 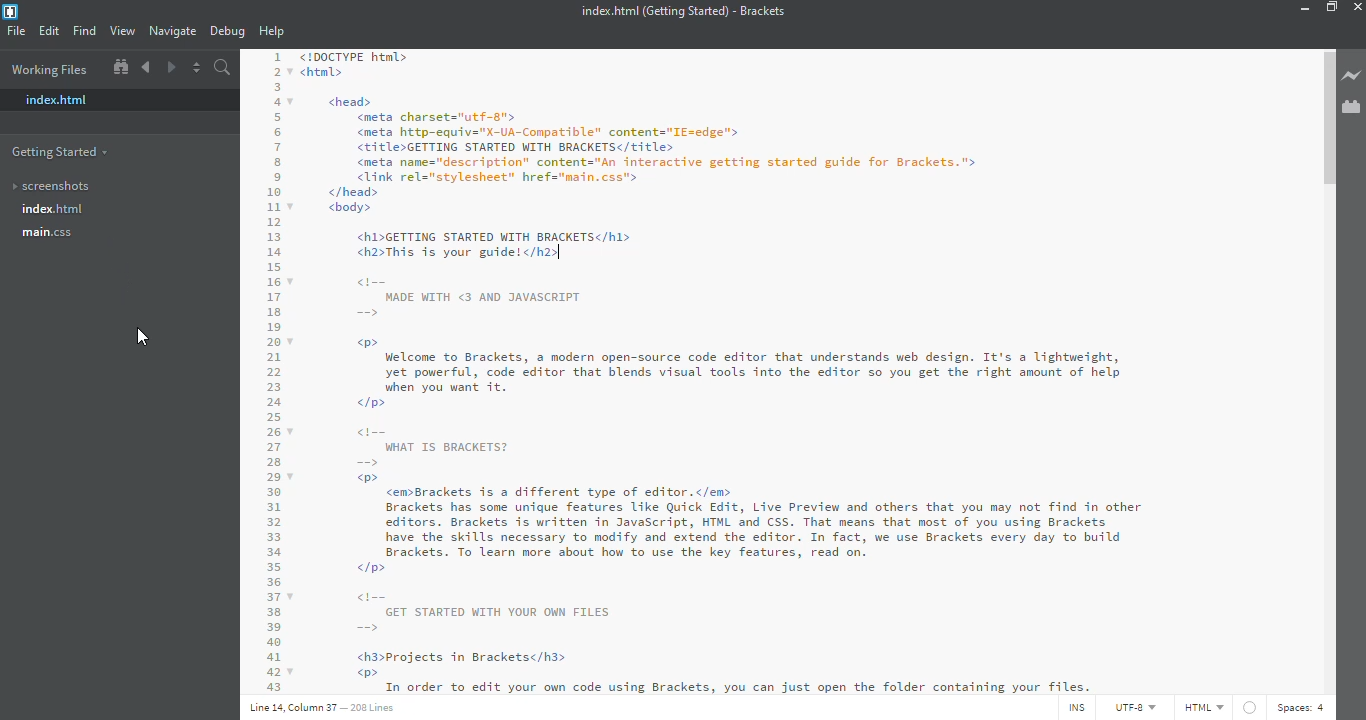 What do you see at coordinates (58, 99) in the screenshot?
I see `index.html` at bounding box center [58, 99].